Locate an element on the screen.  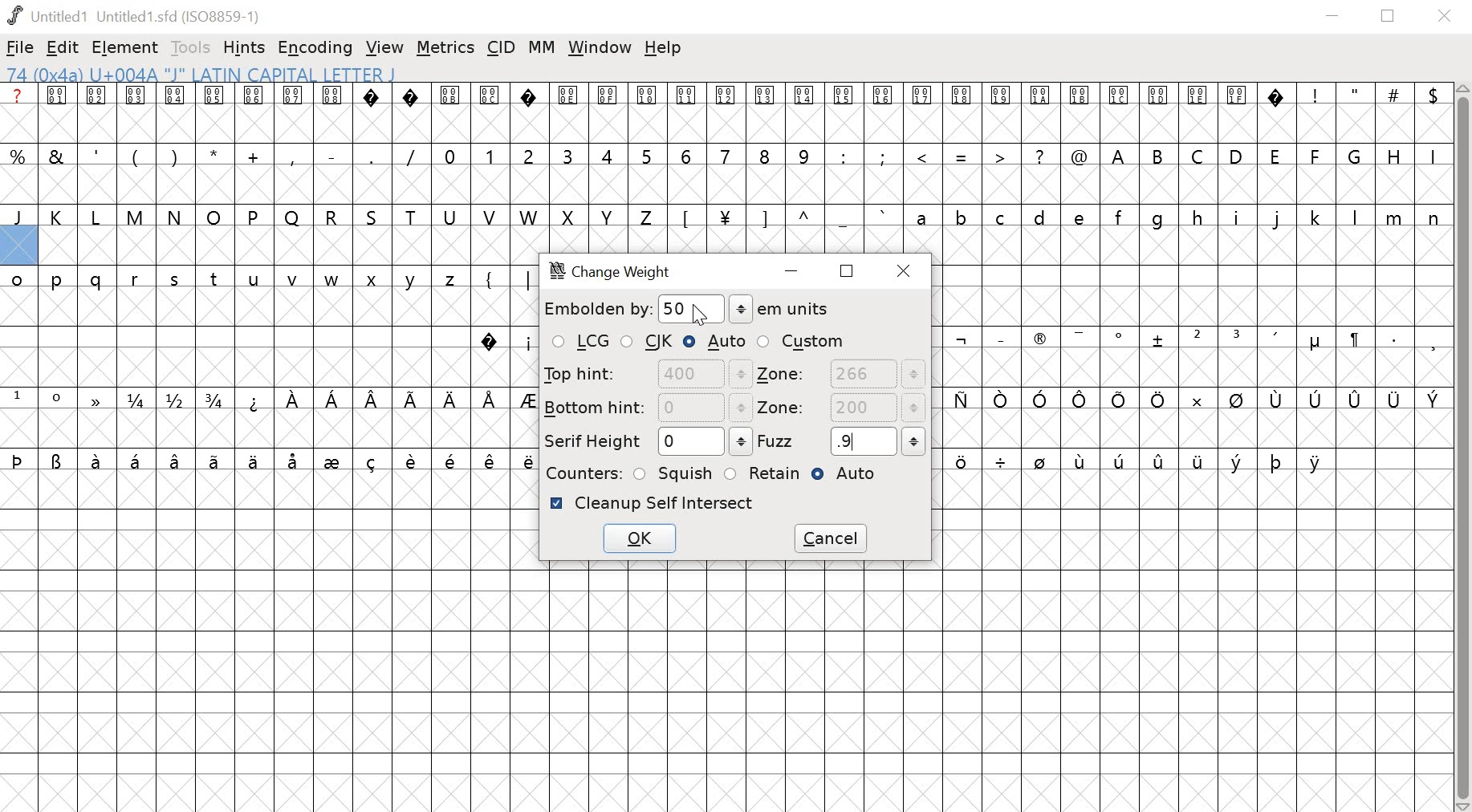
FUZZ is located at coordinates (842, 441).